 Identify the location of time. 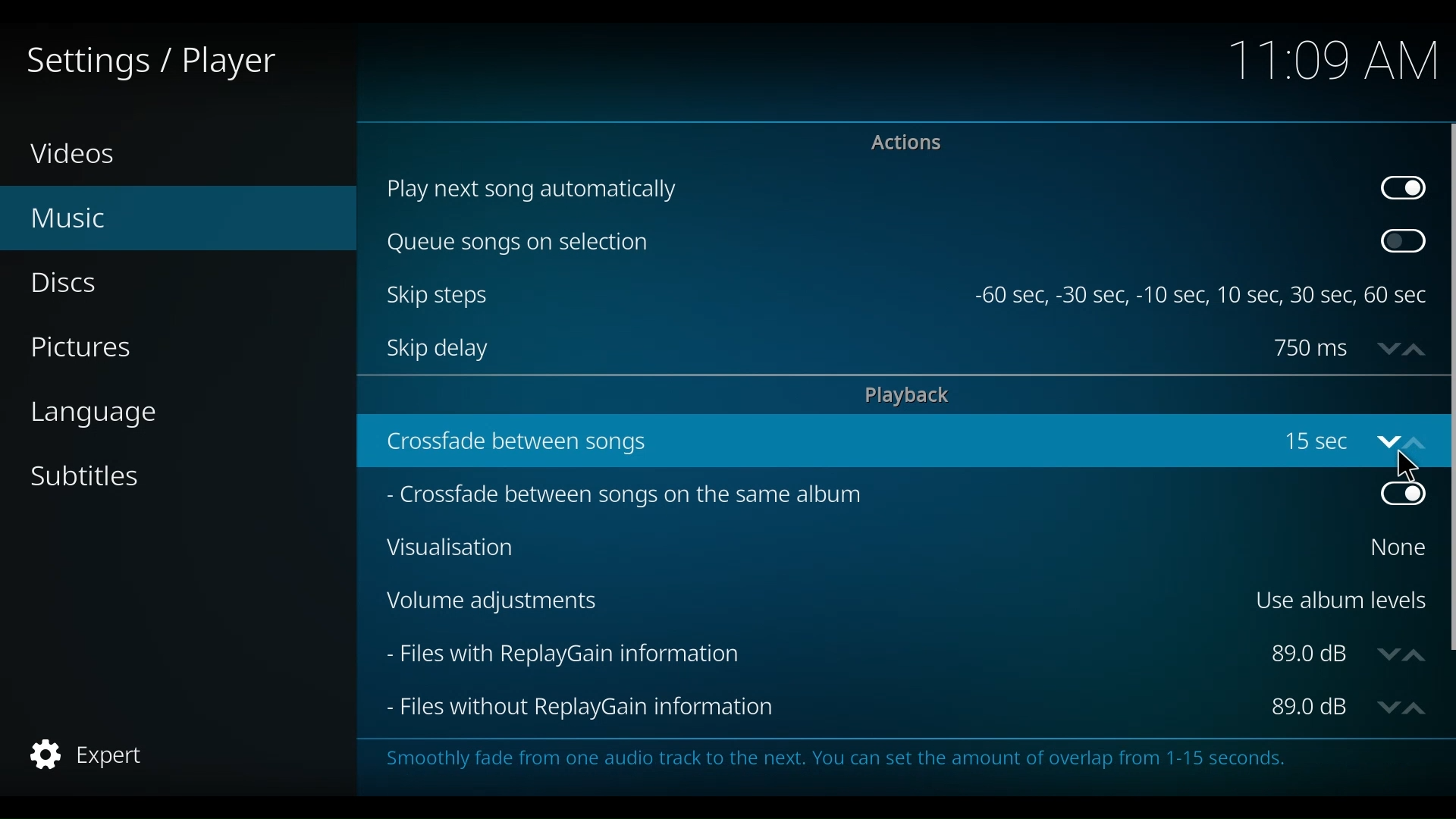
(1327, 60).